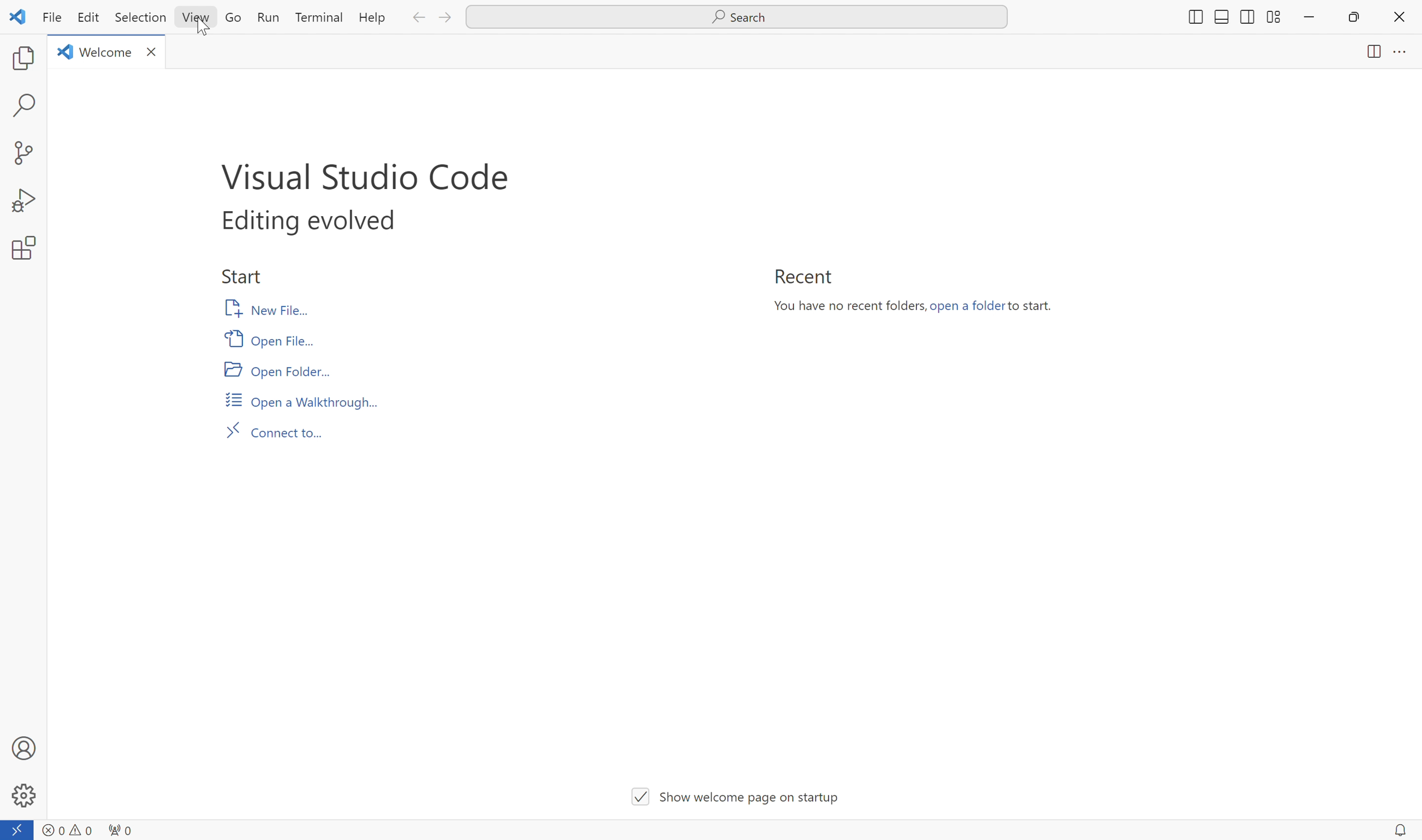 The width and height of the screenshot is (1422, 840). Describe the element at coordinates (18, 829) in the screenshot. I see `open a remote window` at that location.